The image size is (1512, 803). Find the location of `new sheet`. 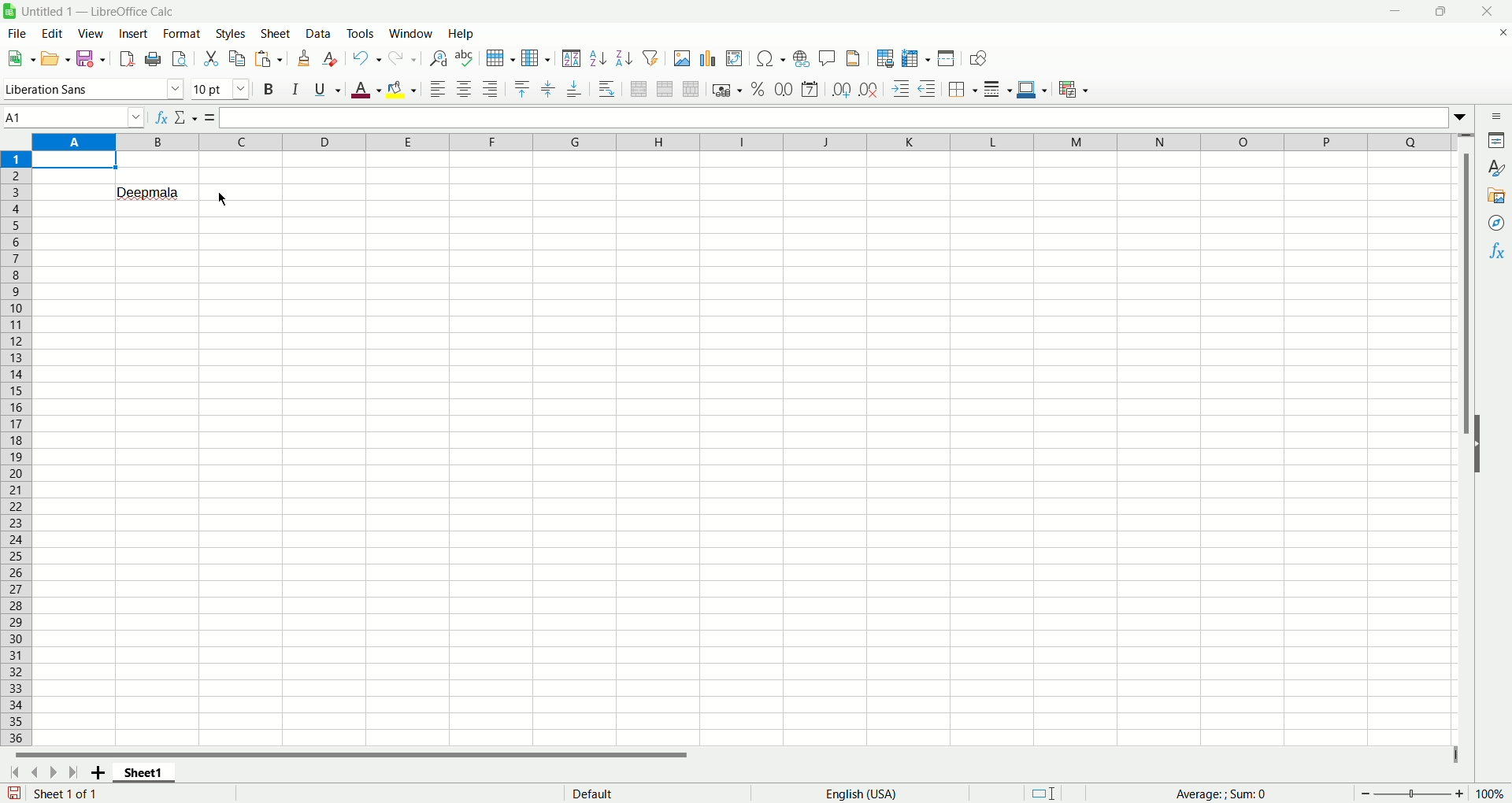

new sheet is located at coordinates (94, 774).